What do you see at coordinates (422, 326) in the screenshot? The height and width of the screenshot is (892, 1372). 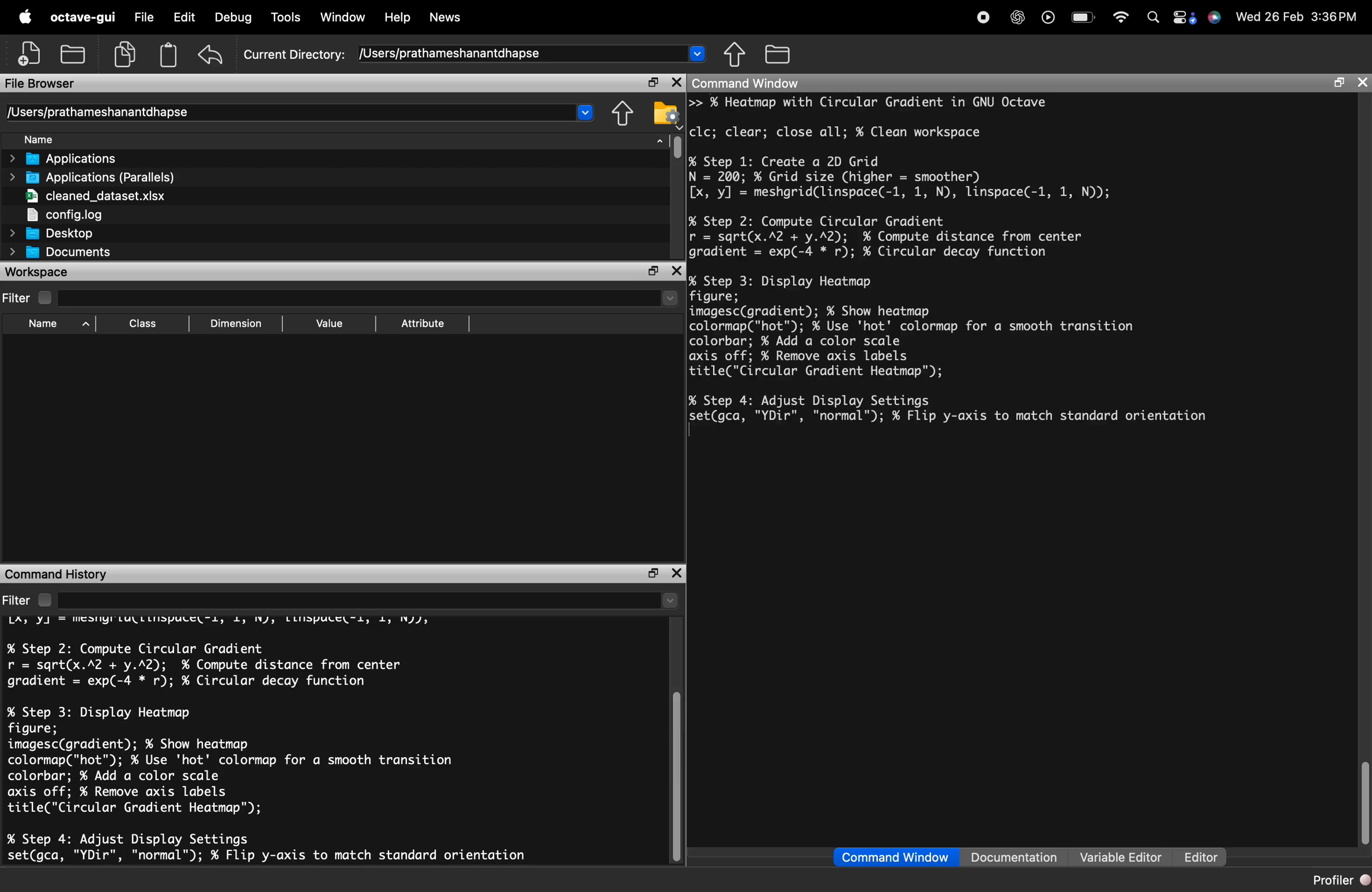 I see `Attribute` at bounding box center [422, 326].